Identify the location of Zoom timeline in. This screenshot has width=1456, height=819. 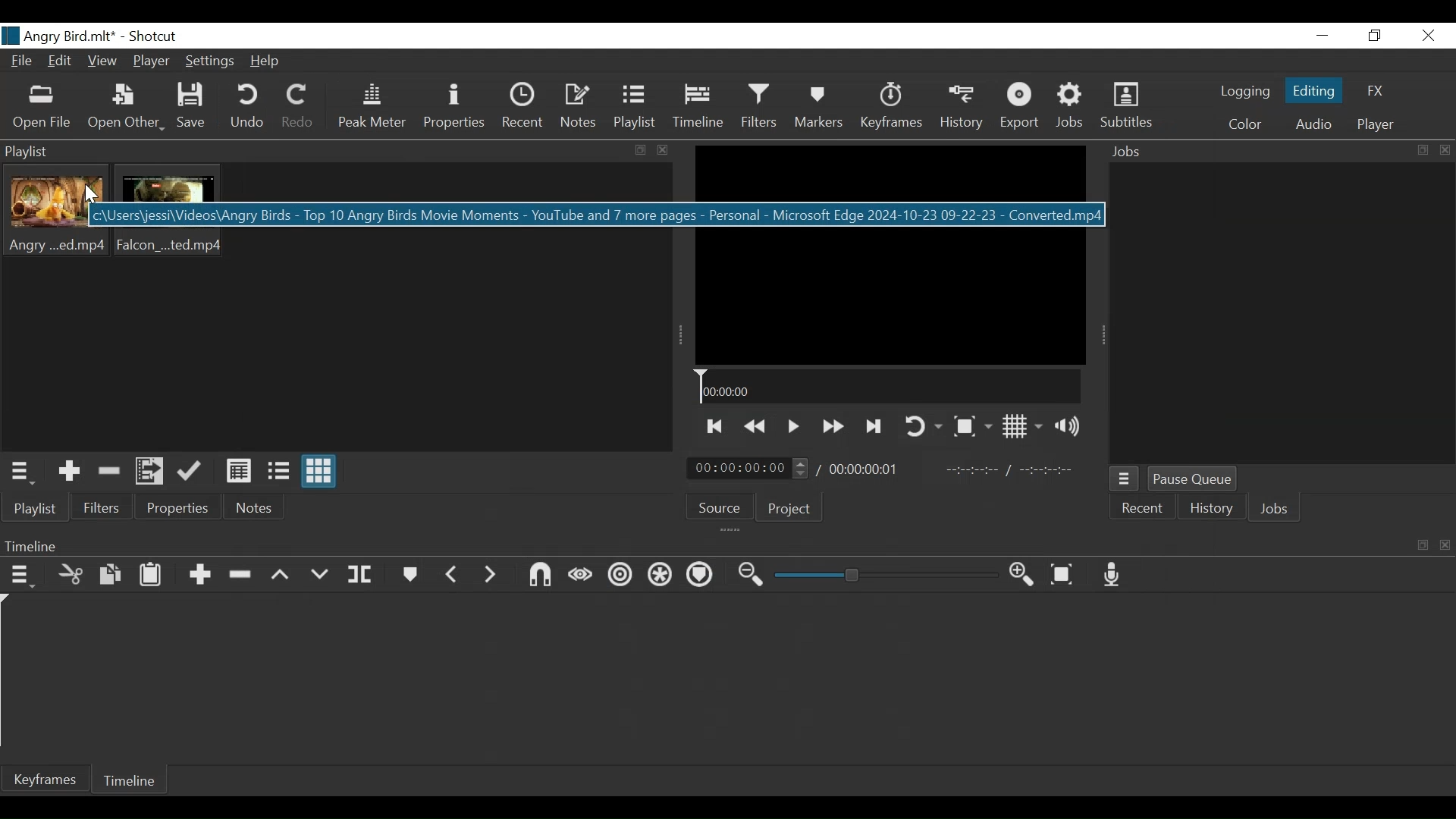
(1025, 576).